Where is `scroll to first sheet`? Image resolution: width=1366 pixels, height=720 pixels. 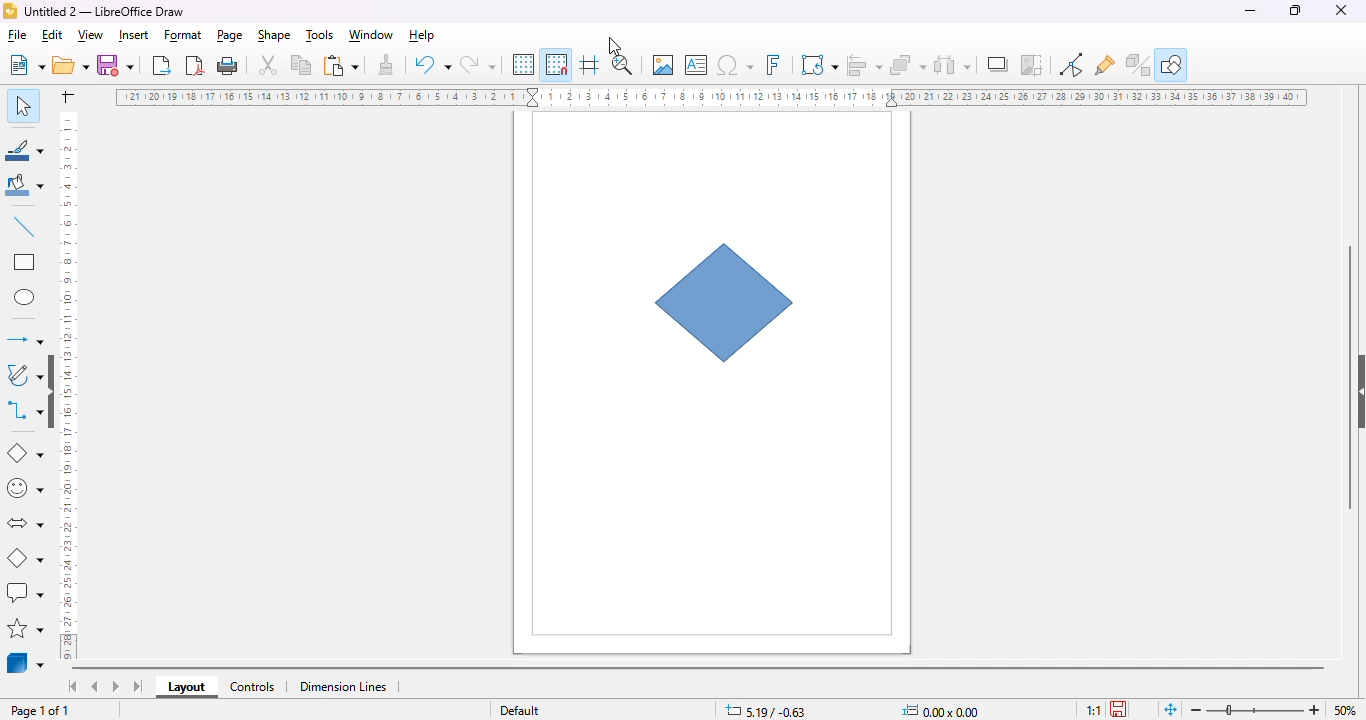
scroll to first sheet is located at coordinates (73, 685).